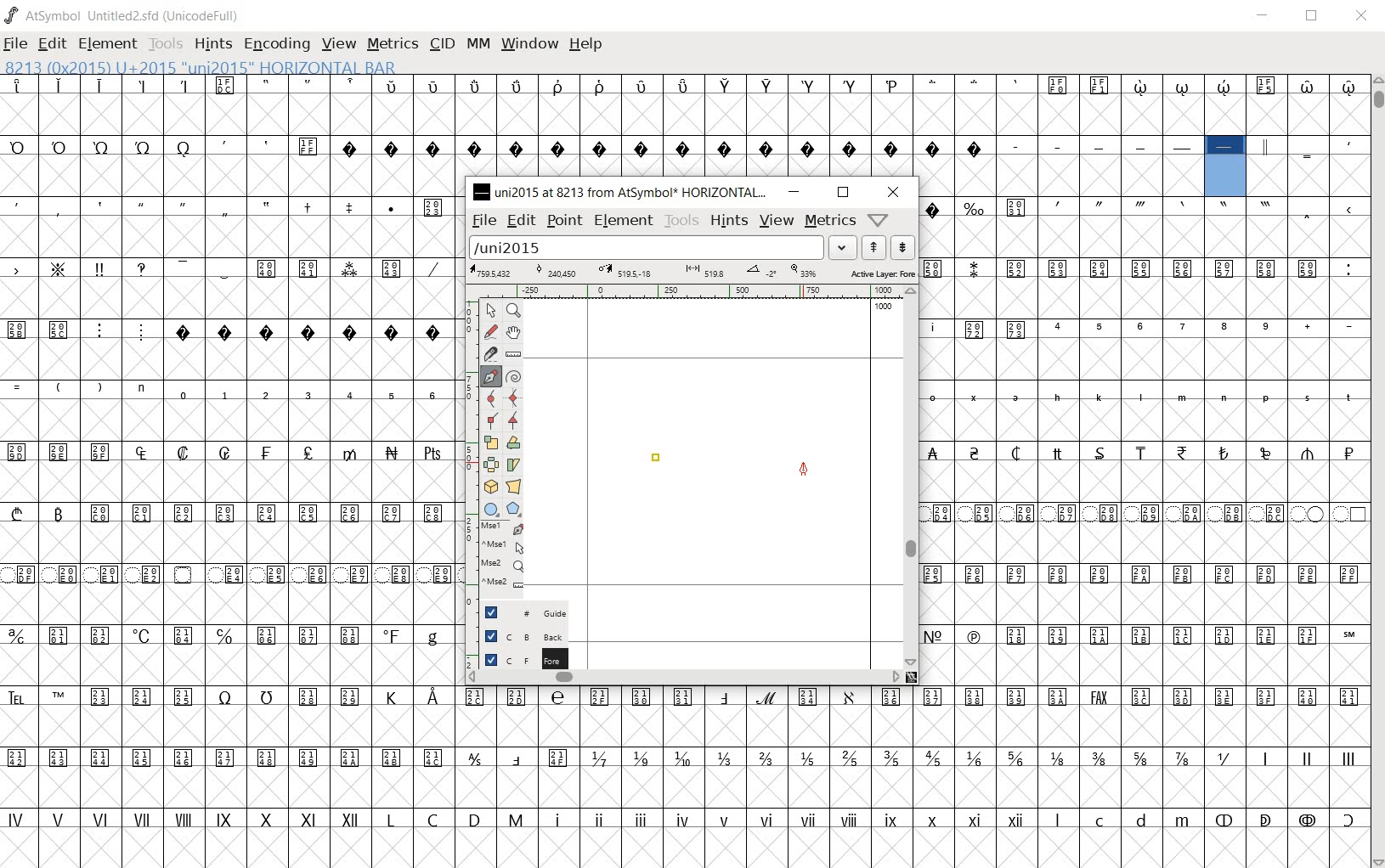  What do you see at coordinates (515, 442) in the screenshot?
I see `Rotate the selection` at bounding box center [515, 442].